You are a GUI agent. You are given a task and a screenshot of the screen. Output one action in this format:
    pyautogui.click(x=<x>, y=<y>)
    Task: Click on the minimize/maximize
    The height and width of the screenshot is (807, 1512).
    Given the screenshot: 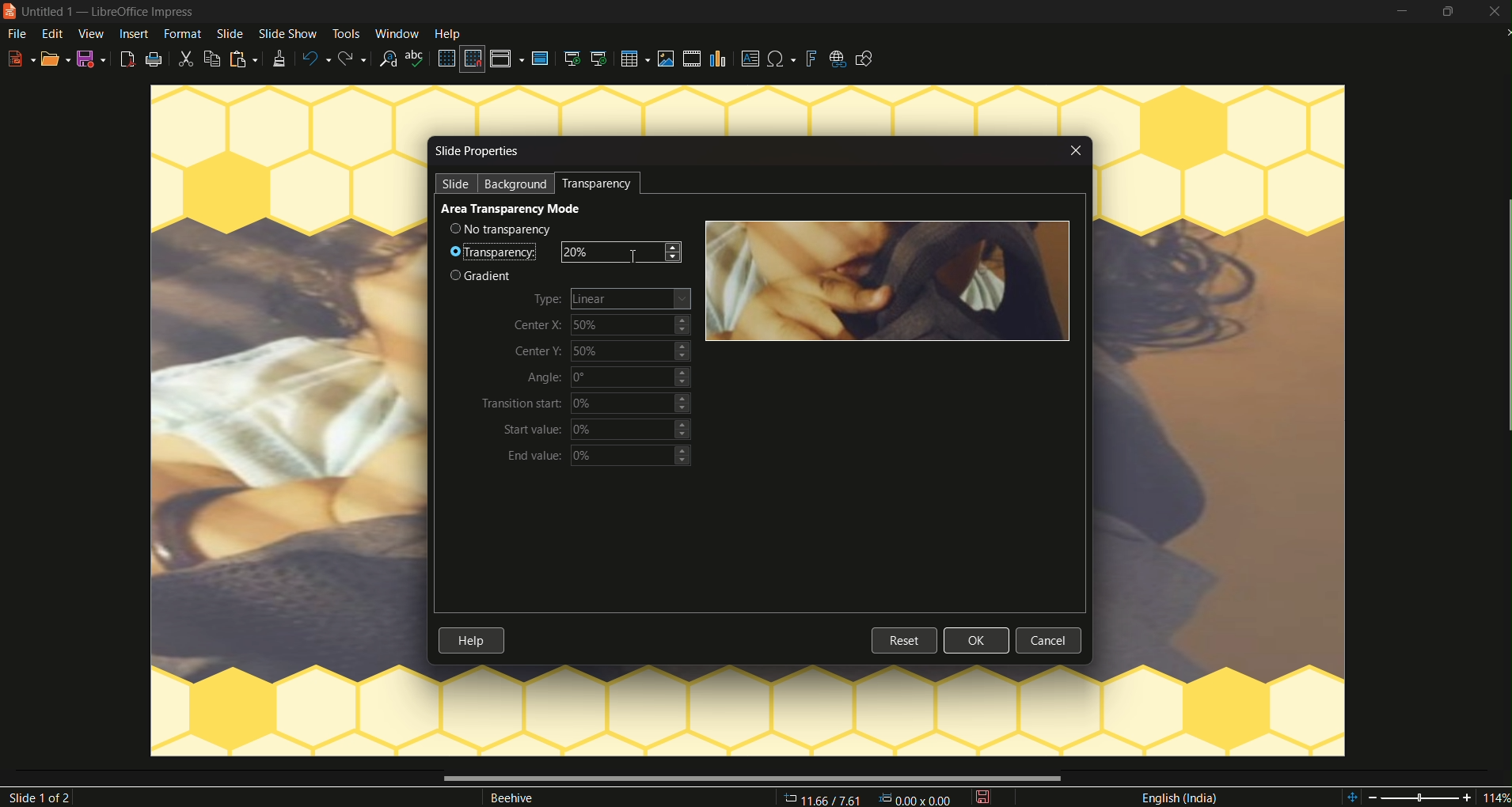 What is the action you would take?
    pyautogui.click(x=1449, y=12)
    